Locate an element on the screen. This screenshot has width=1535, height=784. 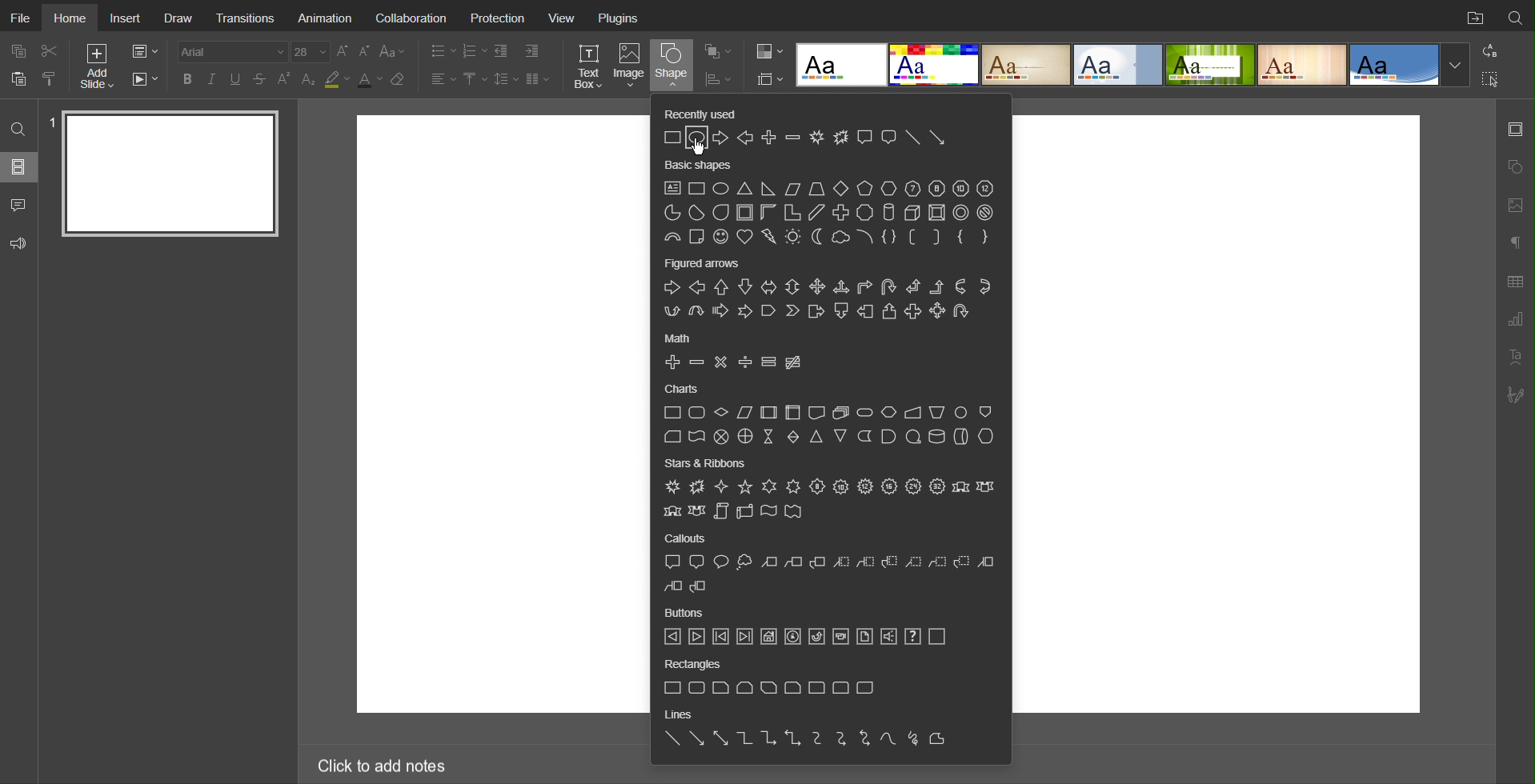
Selection is located at coordinates (1491, 78).